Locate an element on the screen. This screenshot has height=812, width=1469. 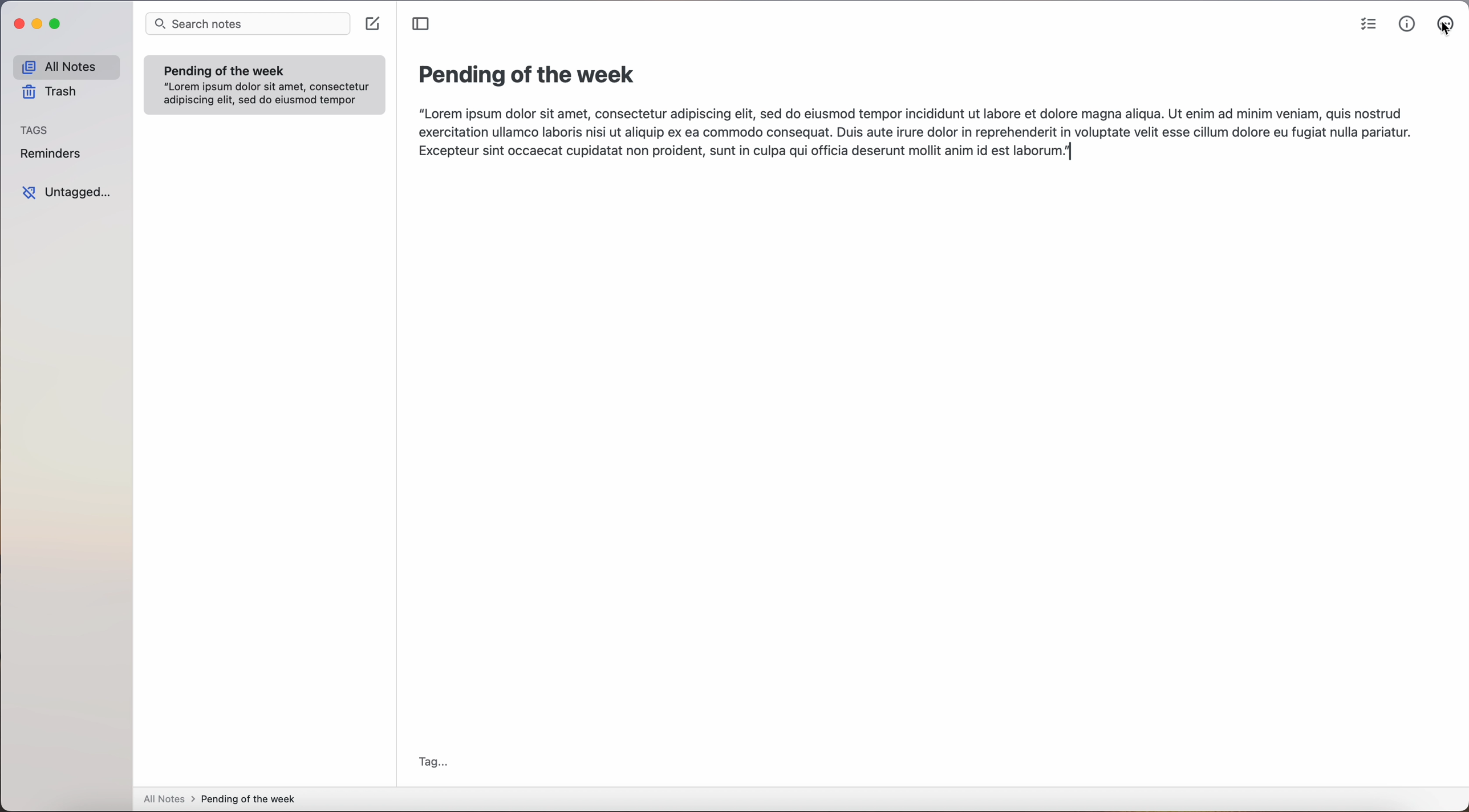
maximize app is located at coordinates (57, 24).